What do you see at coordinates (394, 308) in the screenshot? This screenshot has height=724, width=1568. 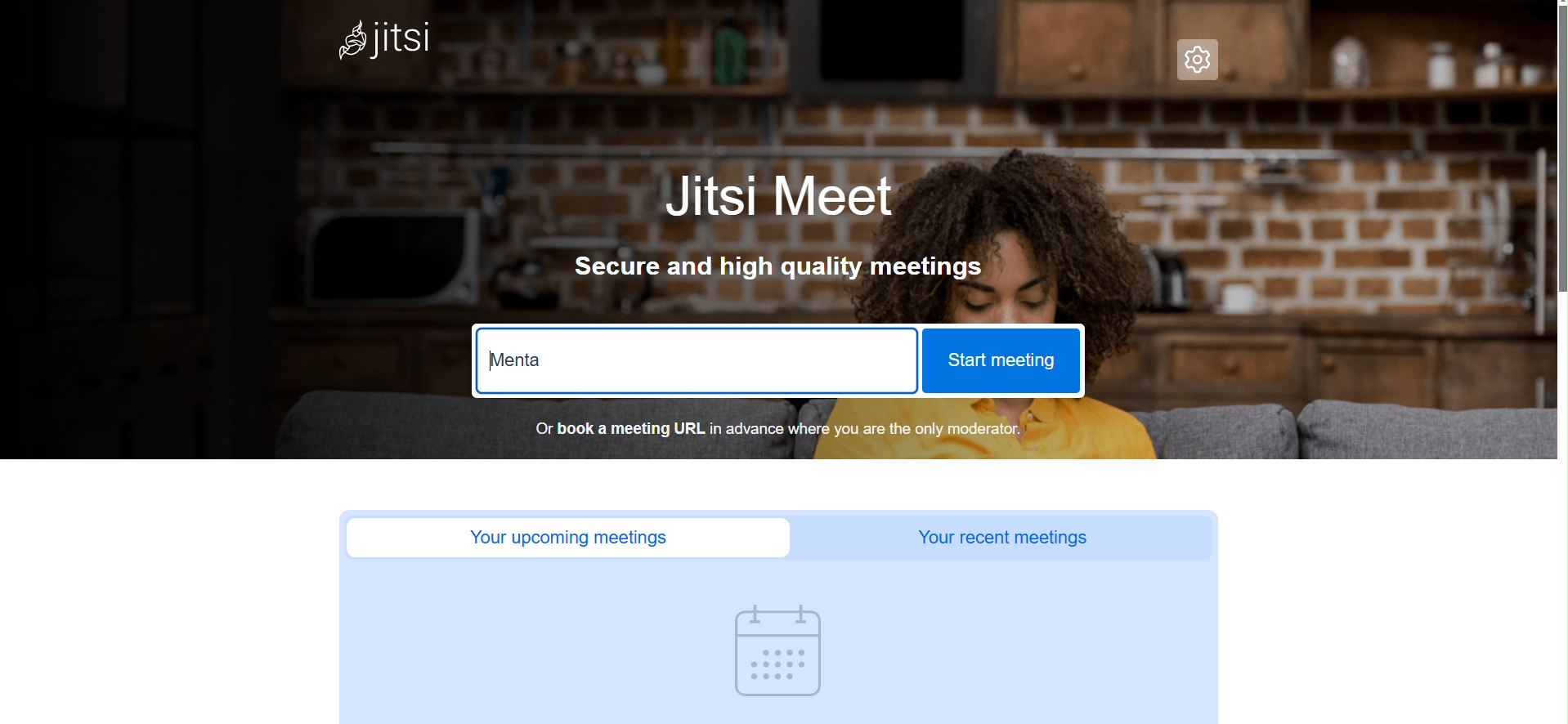 I see `background image` at bounding box center [394, 308].